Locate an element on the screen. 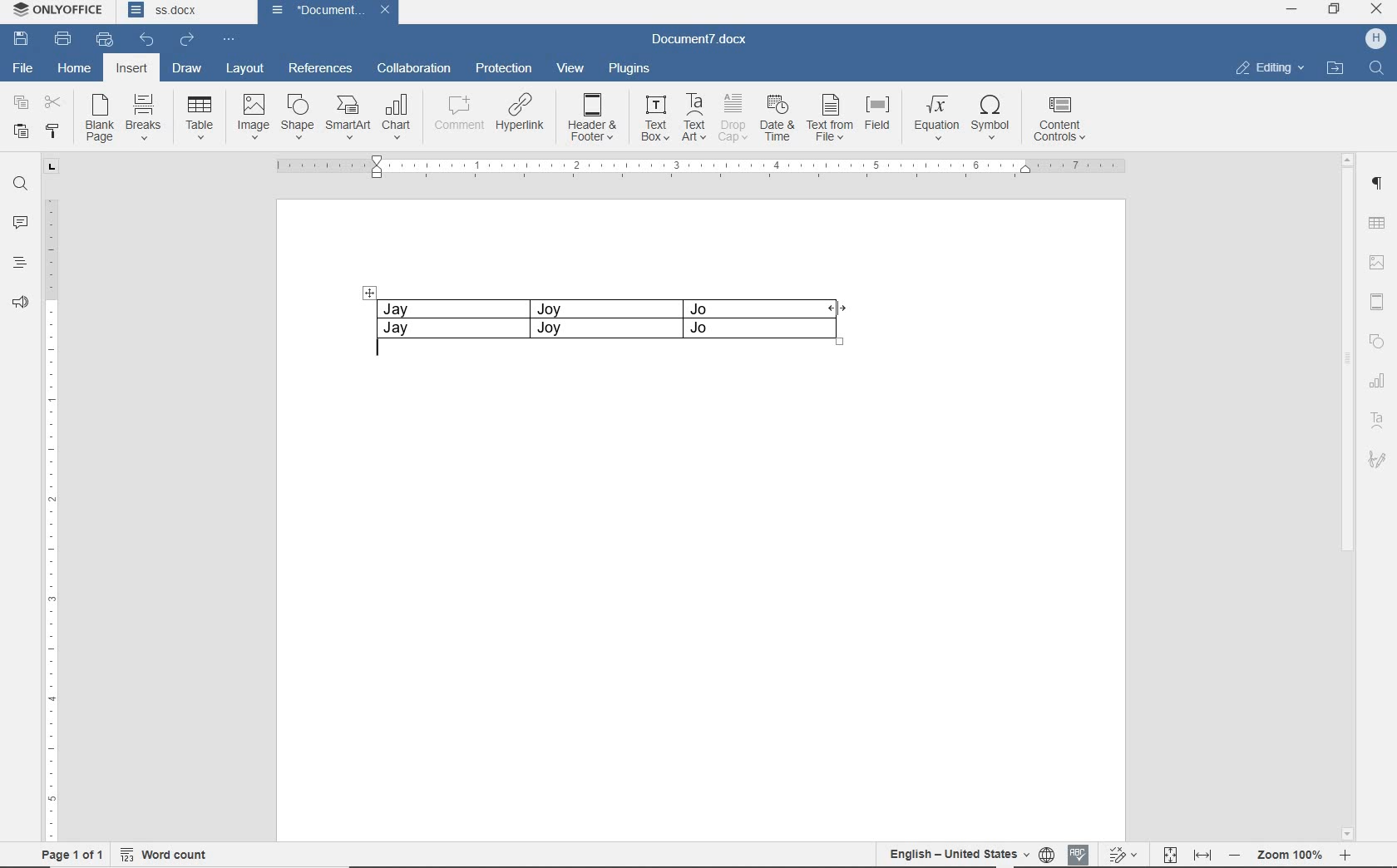 This screenshot has height=868, width=1397. typing text is located at coordinates (386, 353).